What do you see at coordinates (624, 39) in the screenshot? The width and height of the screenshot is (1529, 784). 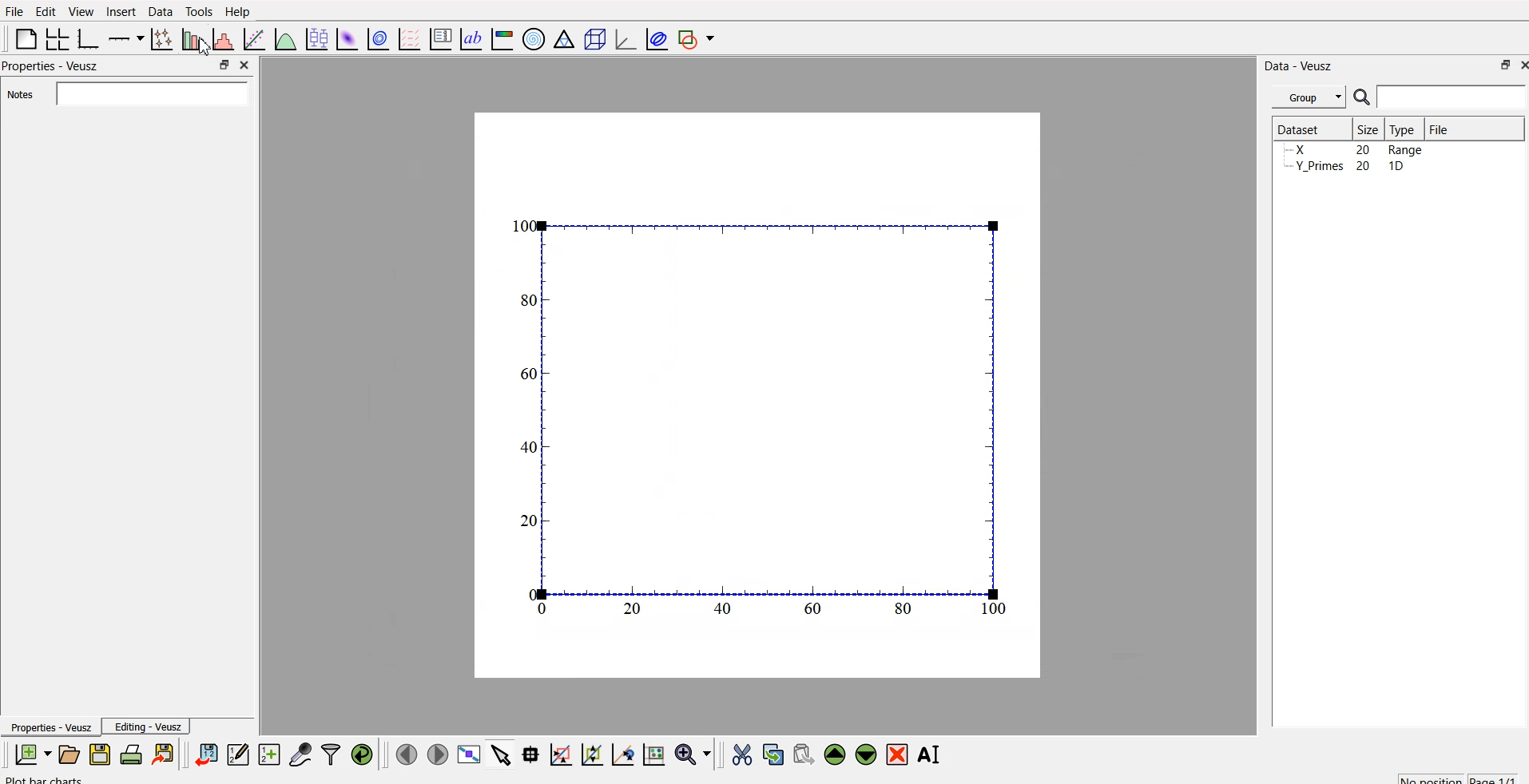 I see `3D graph` at bounding box center [624, 39].